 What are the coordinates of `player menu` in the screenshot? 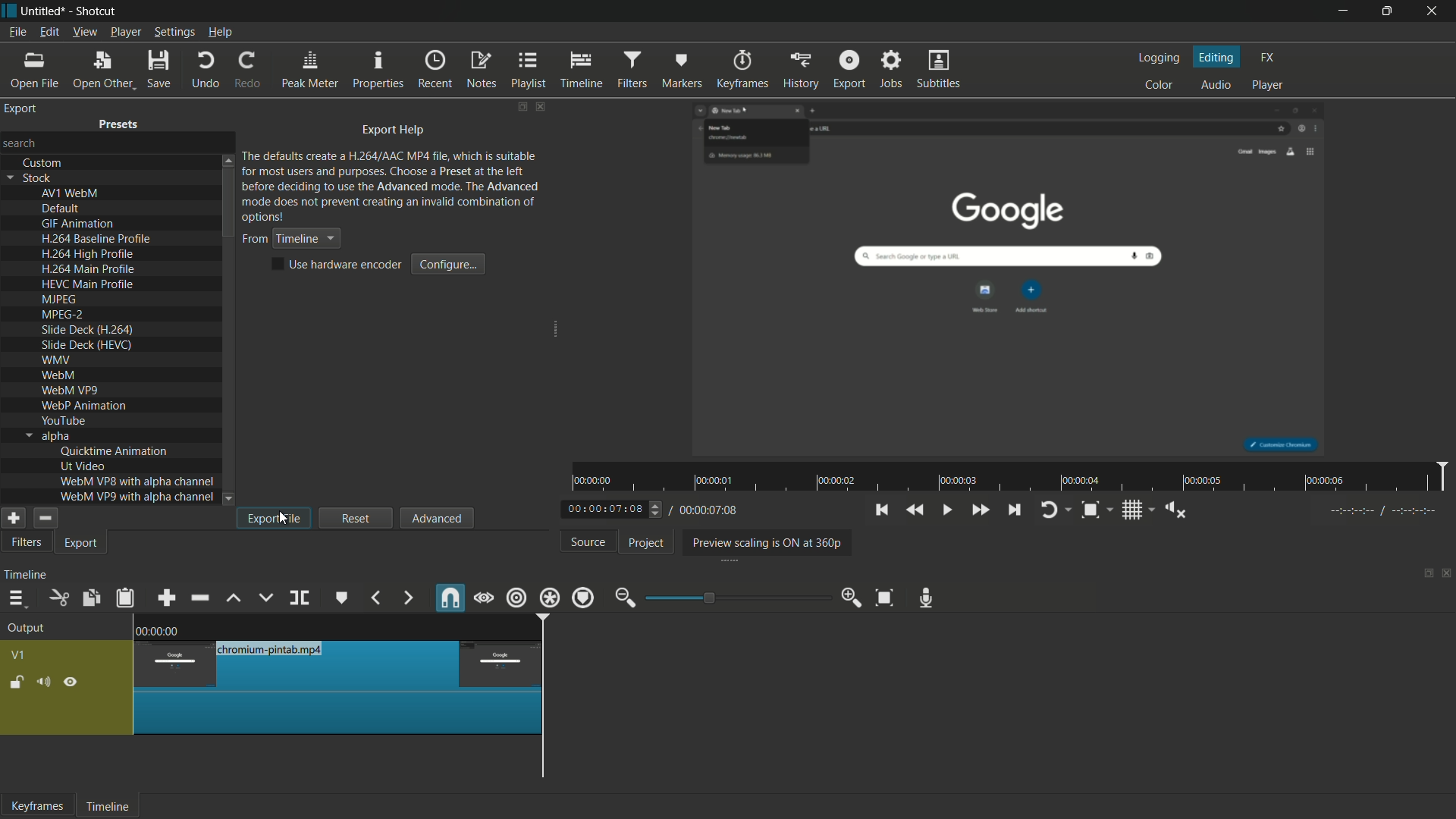 It's located at (127, 31).